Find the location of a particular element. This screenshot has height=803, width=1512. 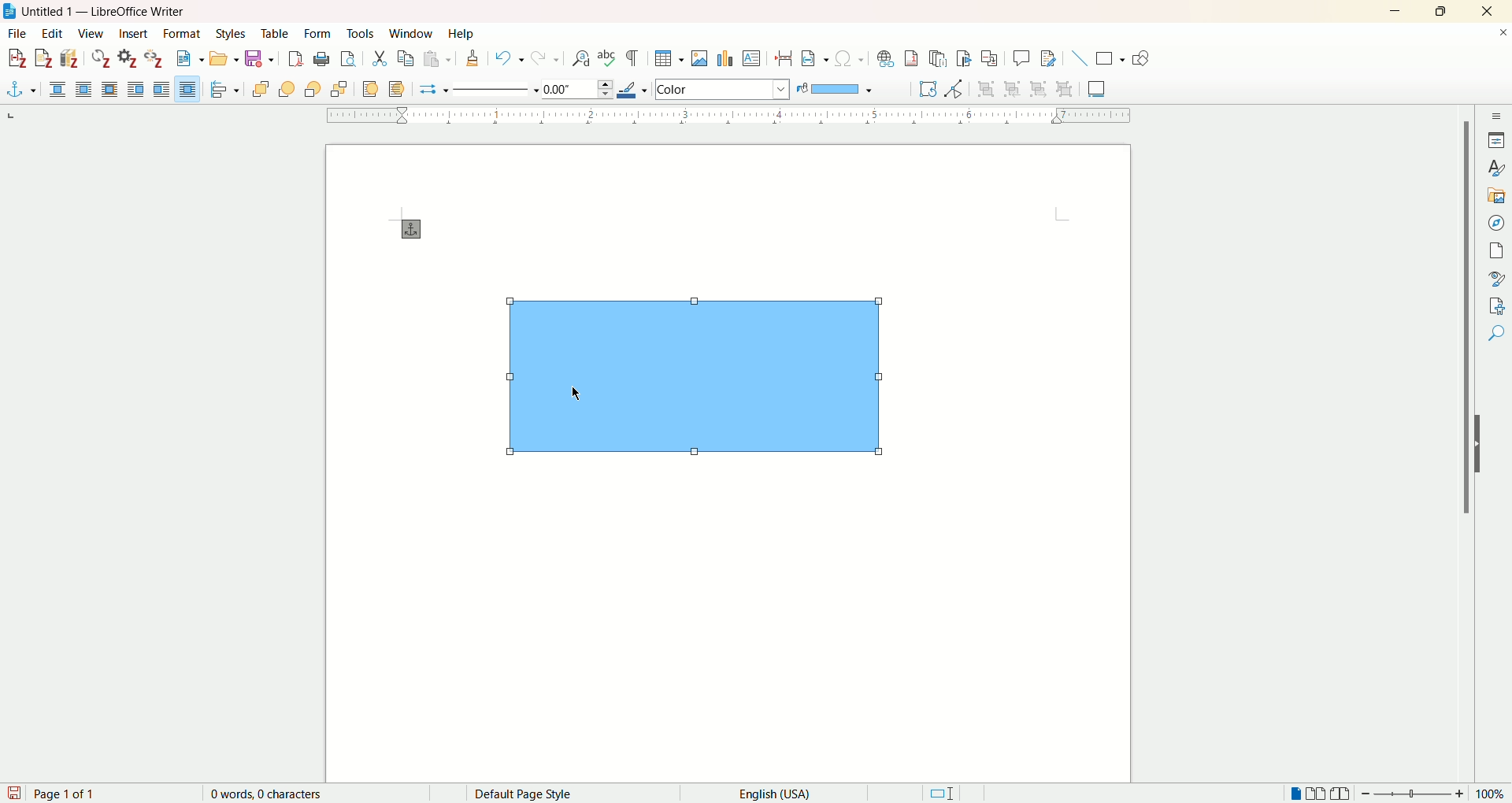

insert line is located at coordinates (1078, 58).